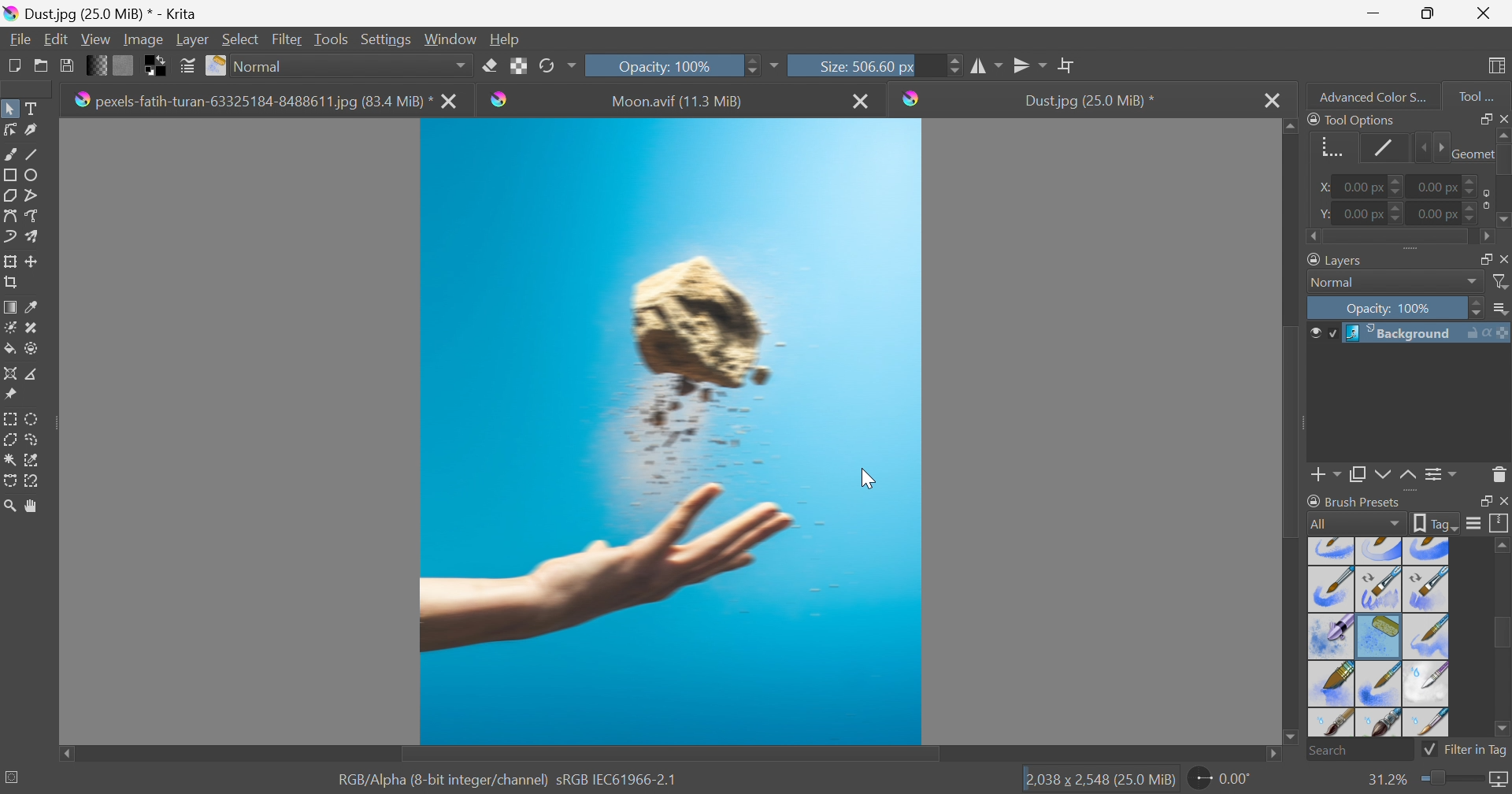  I want to click on All, so click(1355, 523).